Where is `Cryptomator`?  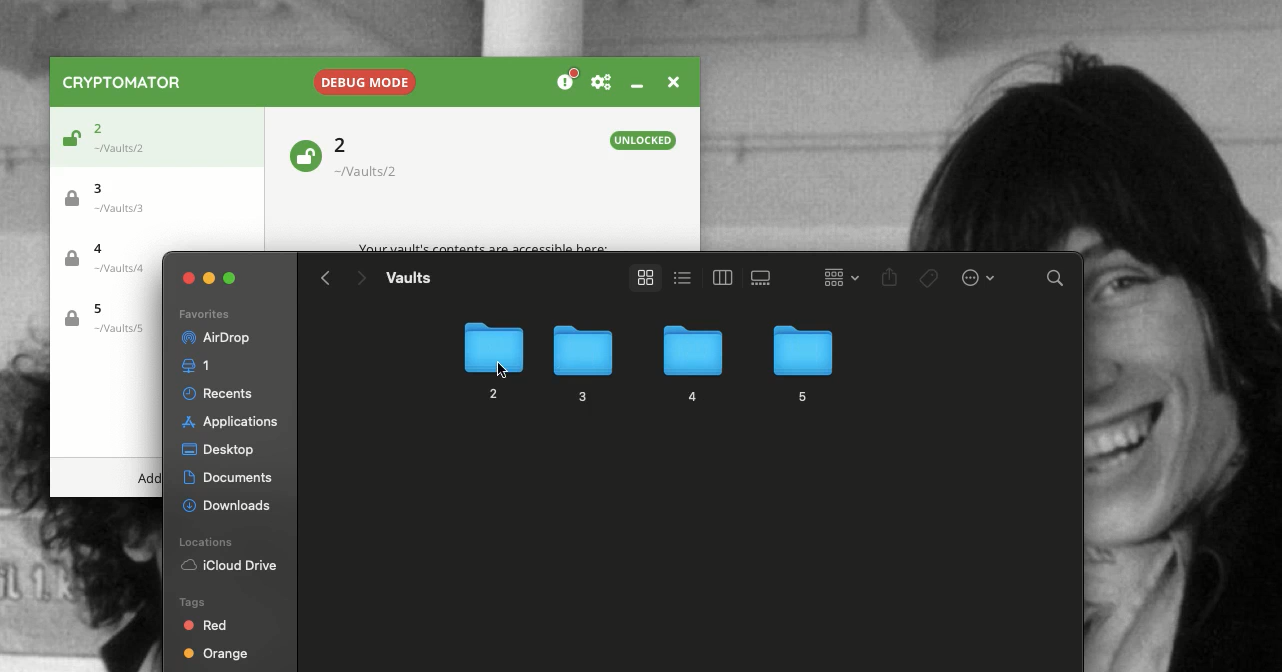
Cryptomator is located at coordinates (123, 82).